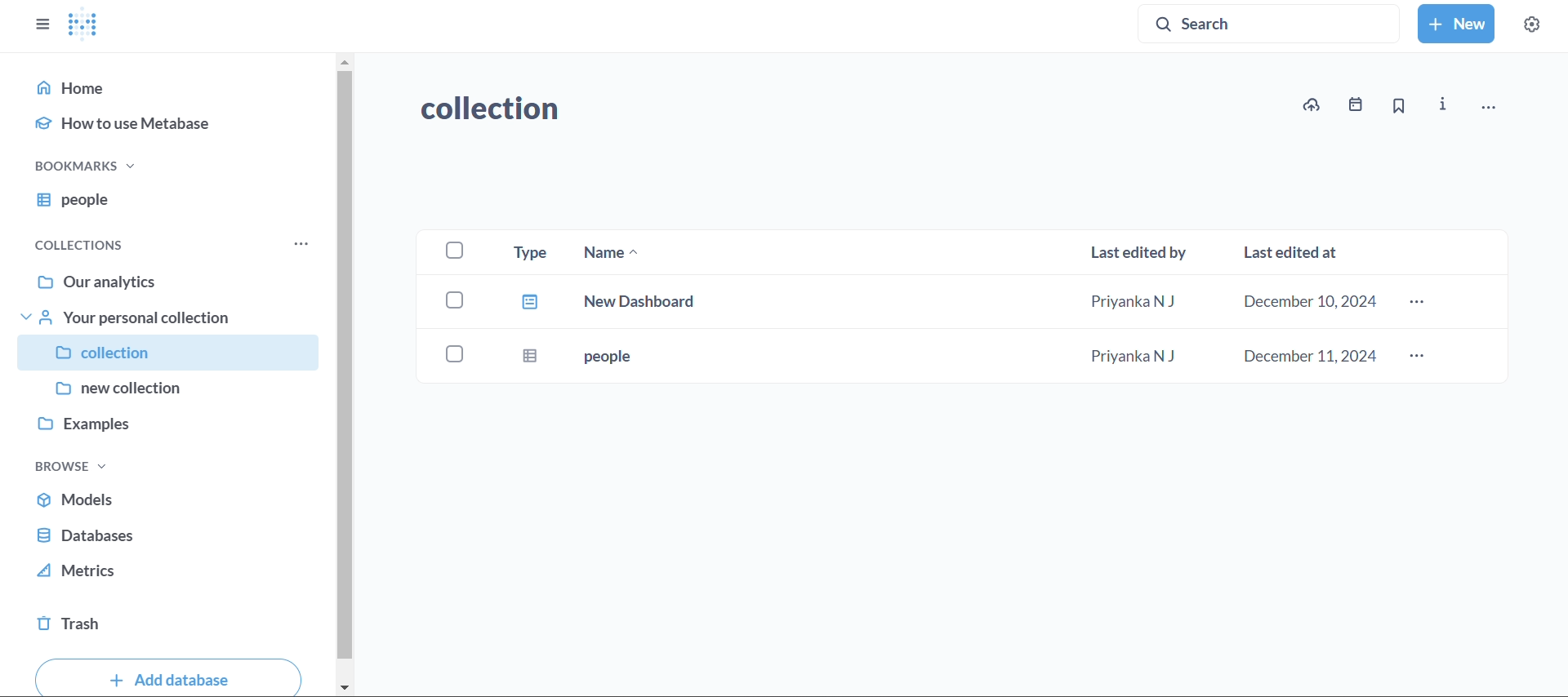 The width and height of the screenshot is (1568, 697). I want to click on collection, so click(488, 105).